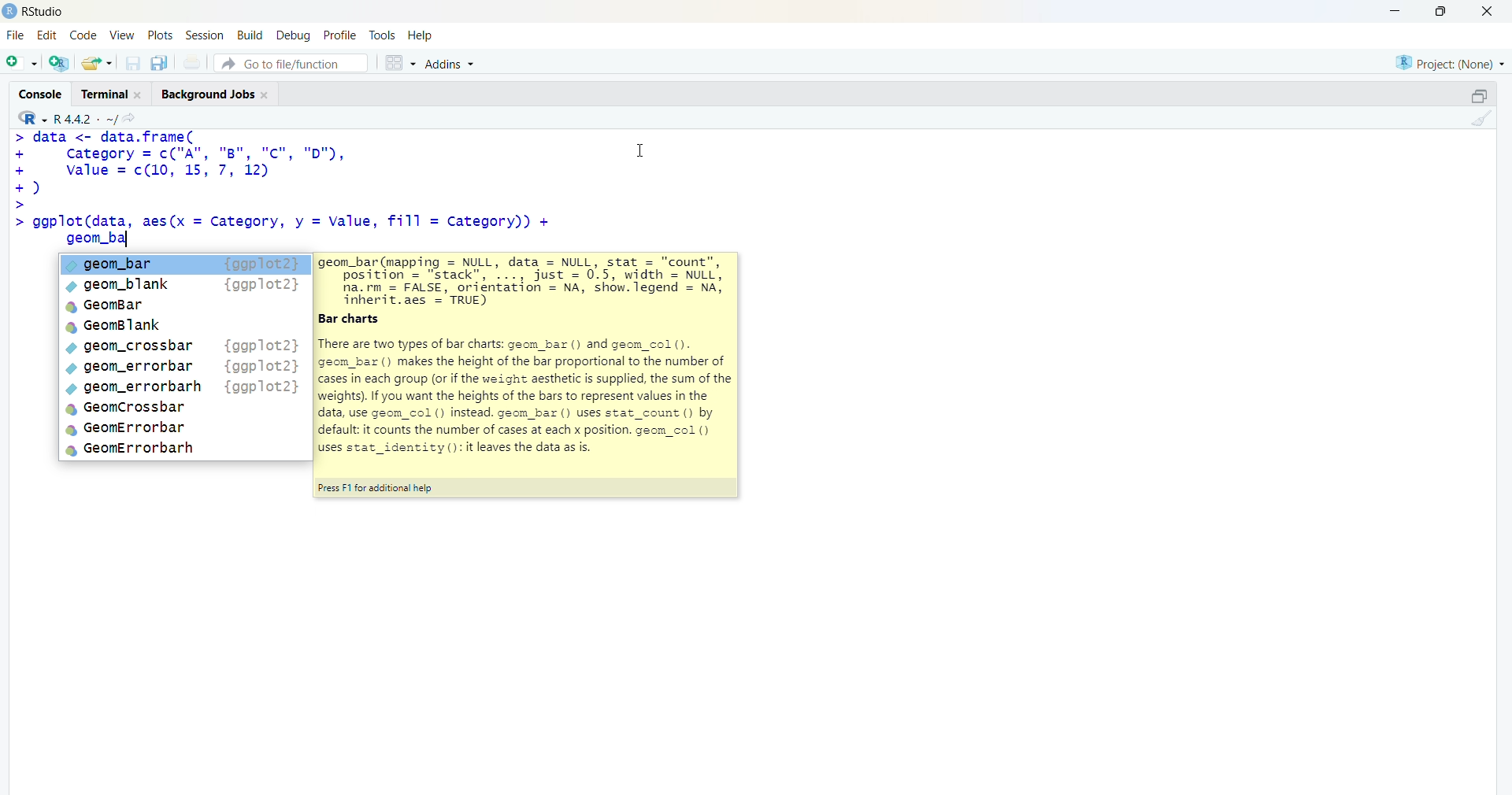  What do you see at coordinates (205, 35) in the screenshot?
I see `Session` at bounding box center [205, 35].